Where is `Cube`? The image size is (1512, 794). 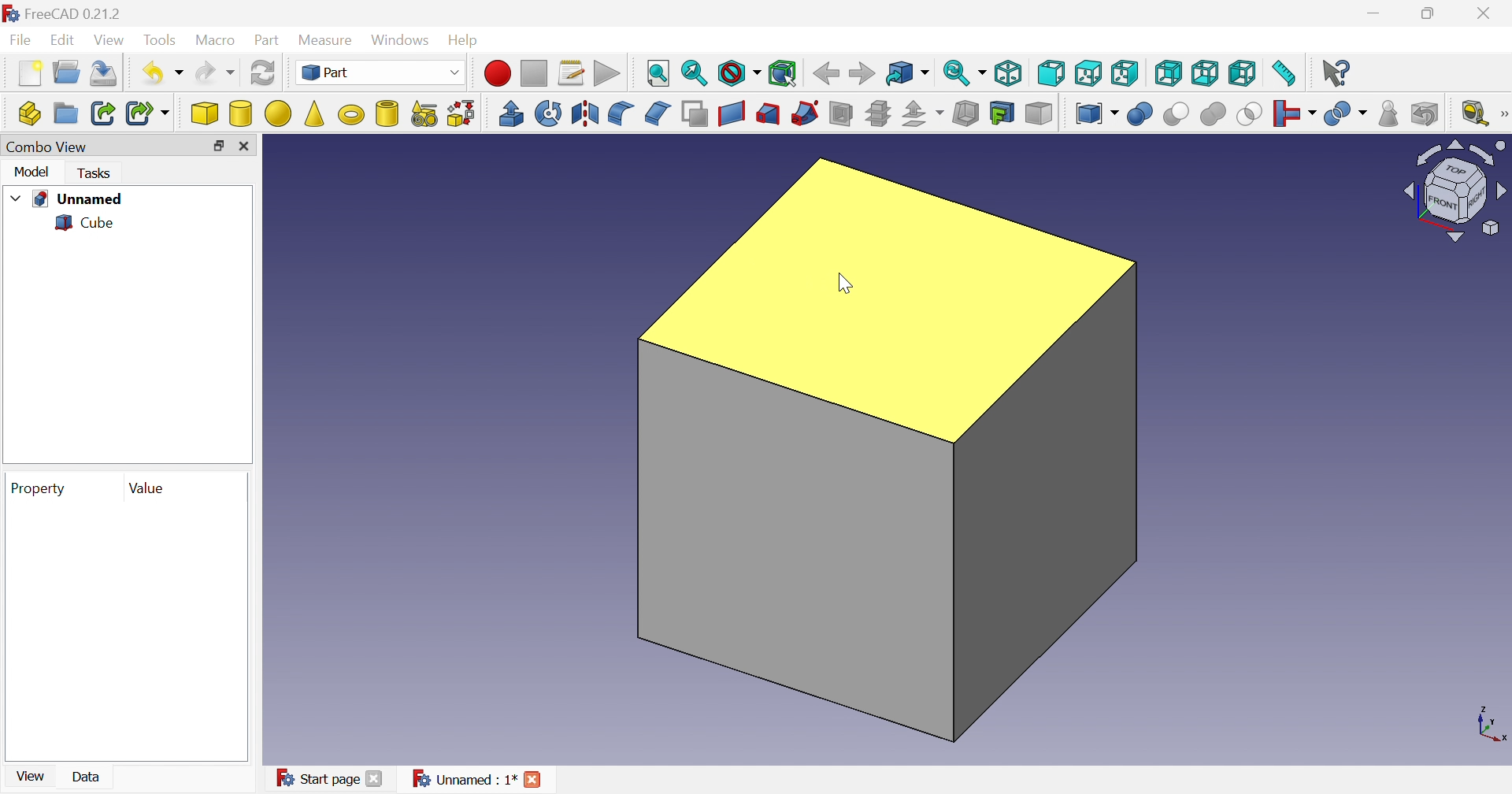 Cube is located at coordinates (86, 222).